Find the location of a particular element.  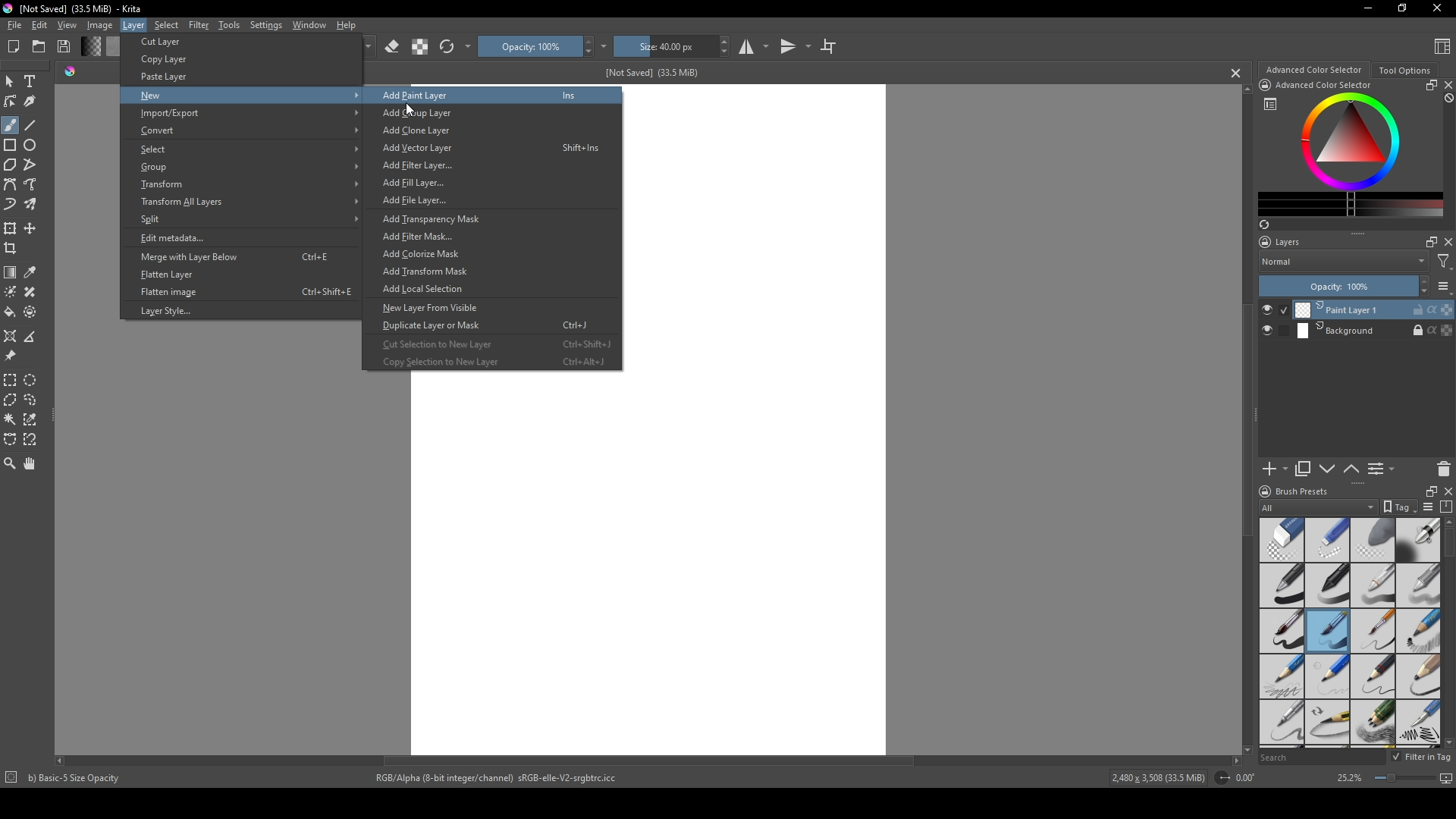

color is located at coordinates (115, 46).